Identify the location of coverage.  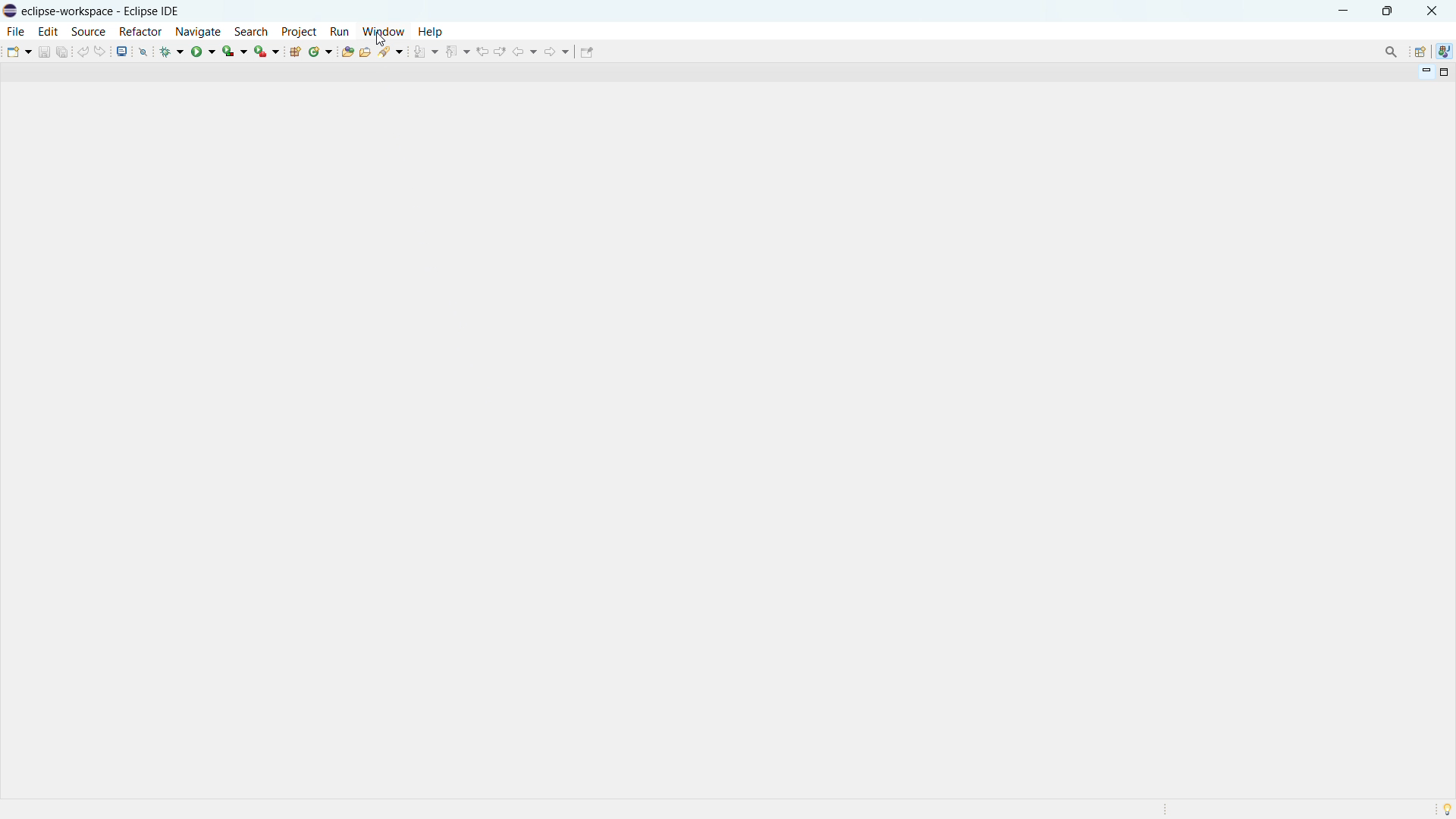
(235, 50).